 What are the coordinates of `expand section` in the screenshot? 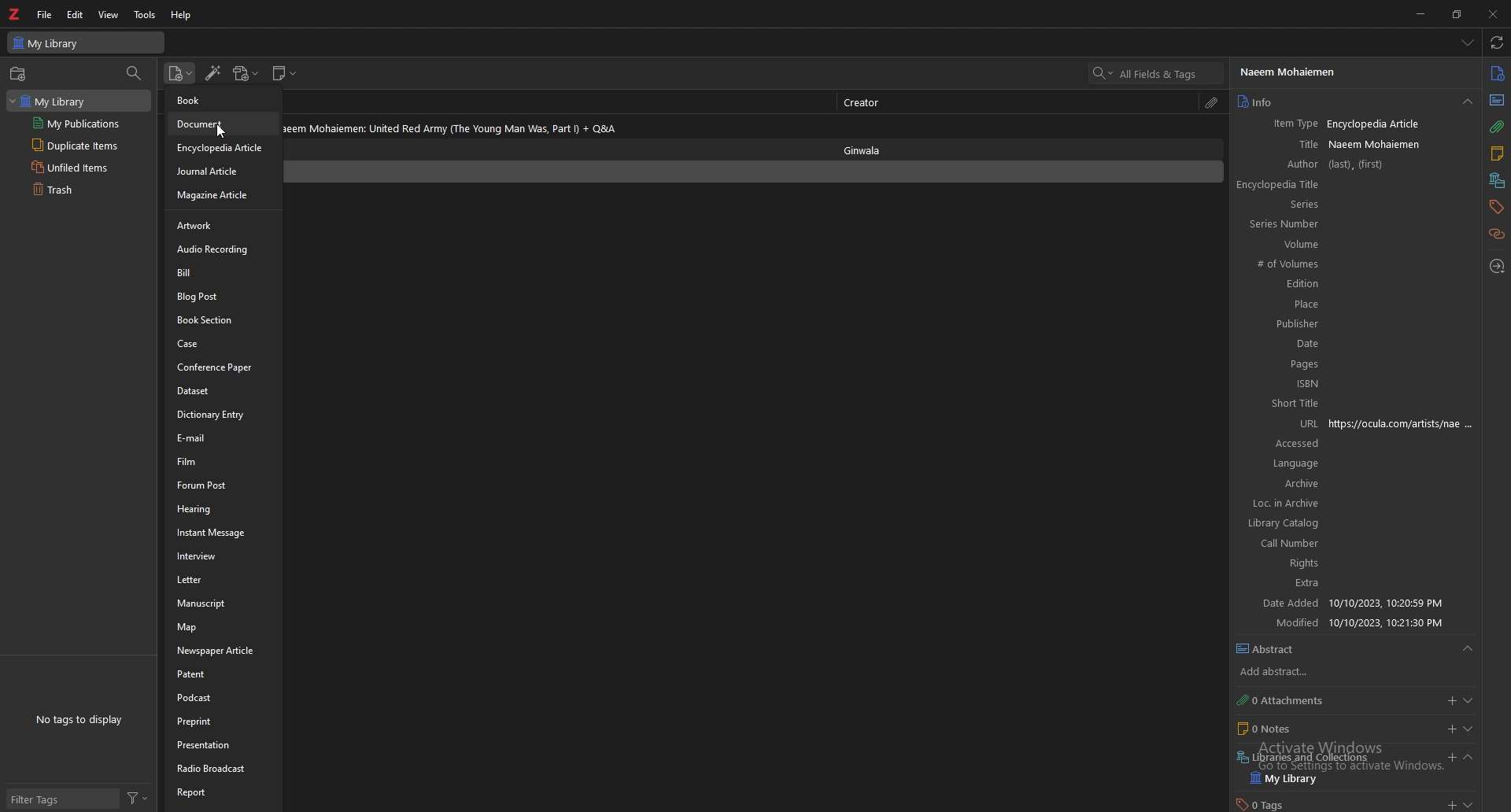 It's located at (1473, 756).